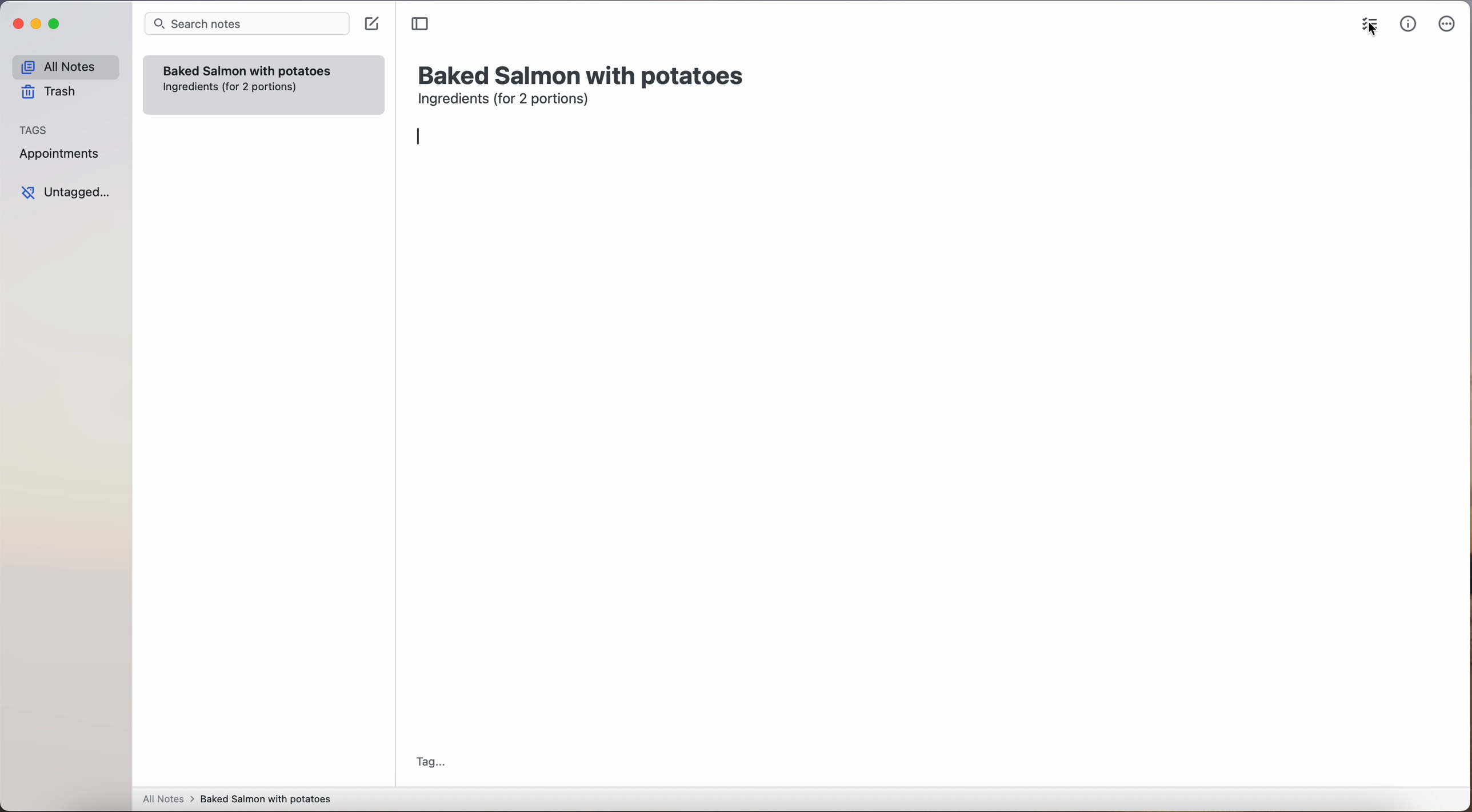  What do you see at coordinates (430, 763) in the screenshot?
I see `tag` at bounding box center [430, 763].